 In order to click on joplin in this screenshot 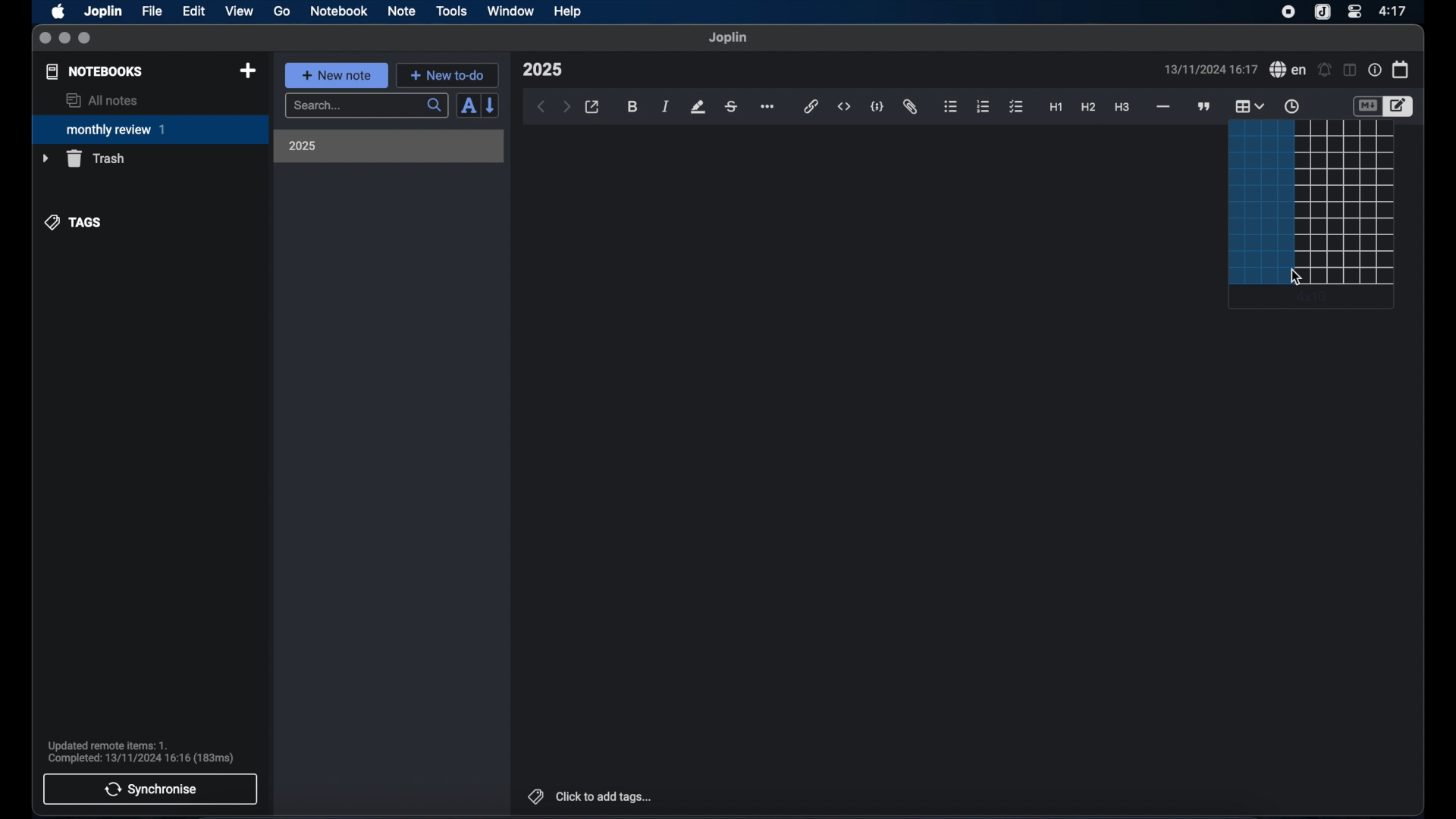, I will do `click(728, 37)`.